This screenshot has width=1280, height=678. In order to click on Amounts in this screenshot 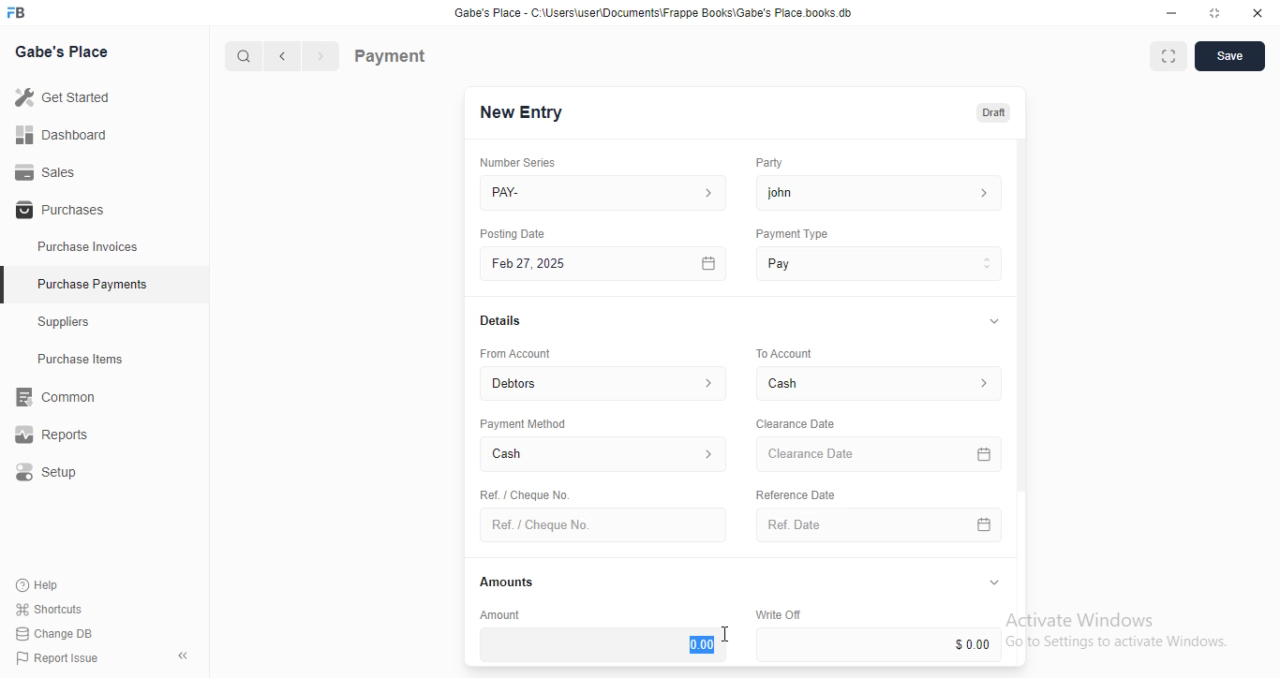, I will do `click(502, 582)`.